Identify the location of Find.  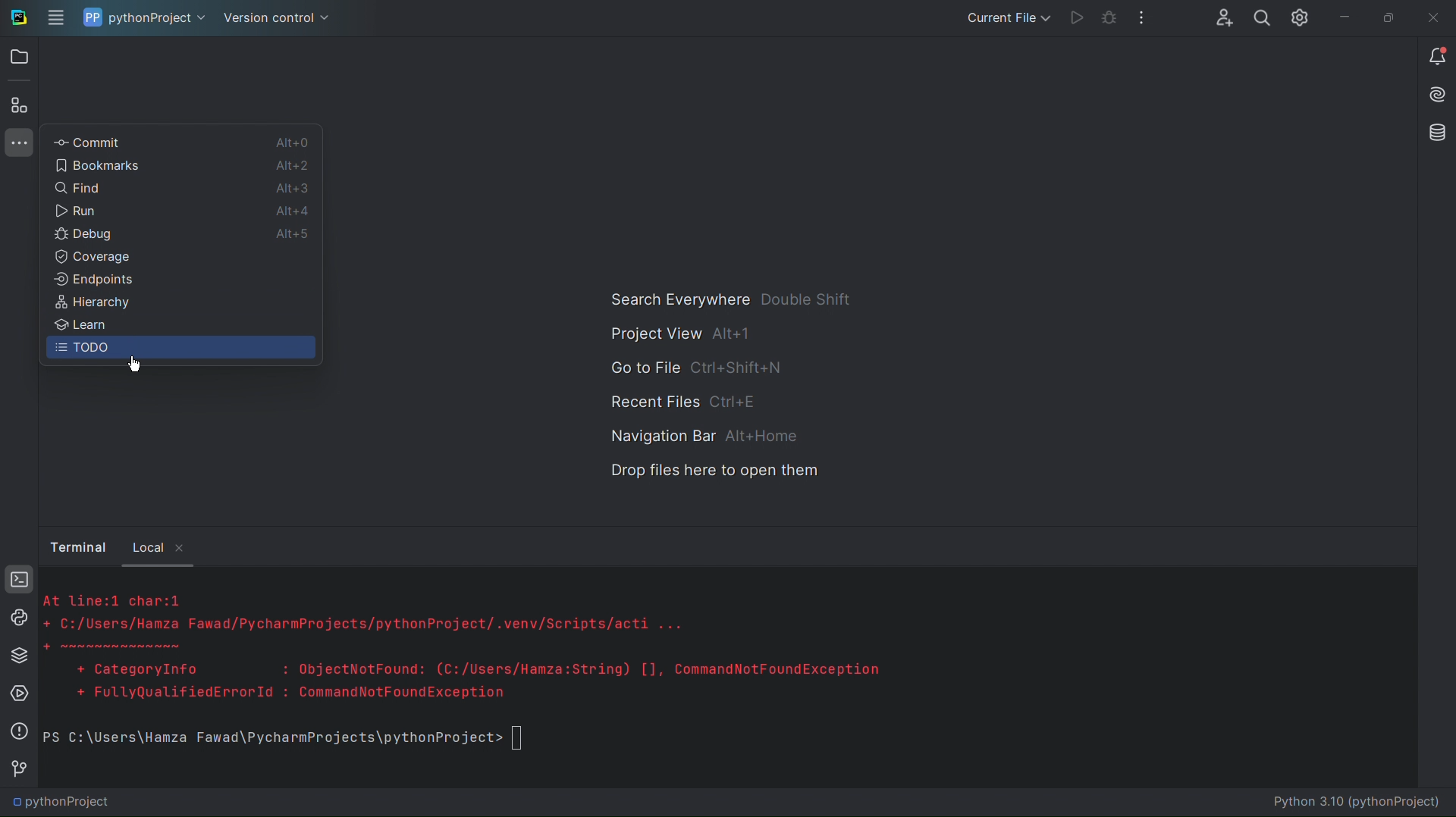
(121, 189).